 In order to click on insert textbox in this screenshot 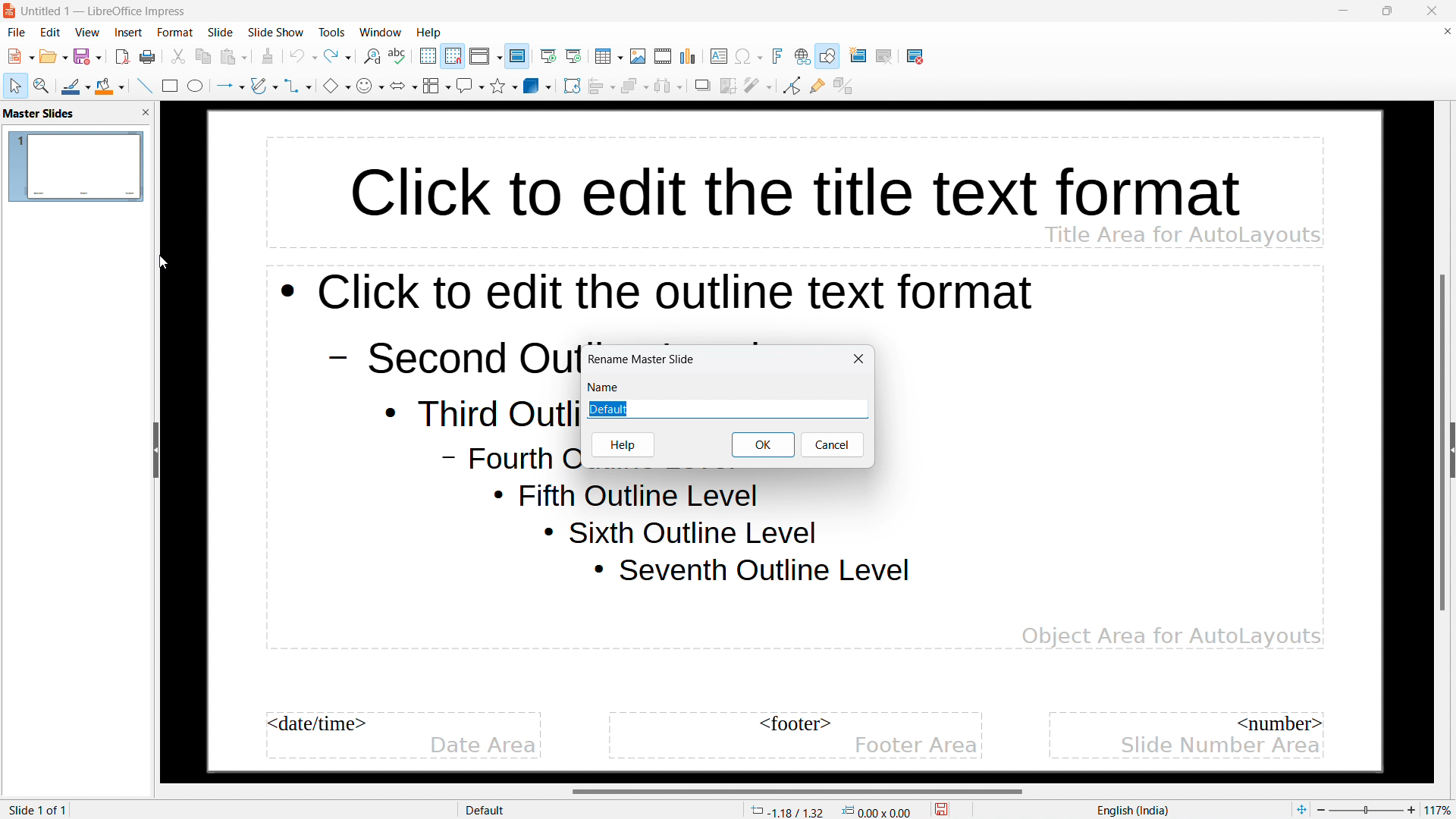, I will do `click(720, 56)`.